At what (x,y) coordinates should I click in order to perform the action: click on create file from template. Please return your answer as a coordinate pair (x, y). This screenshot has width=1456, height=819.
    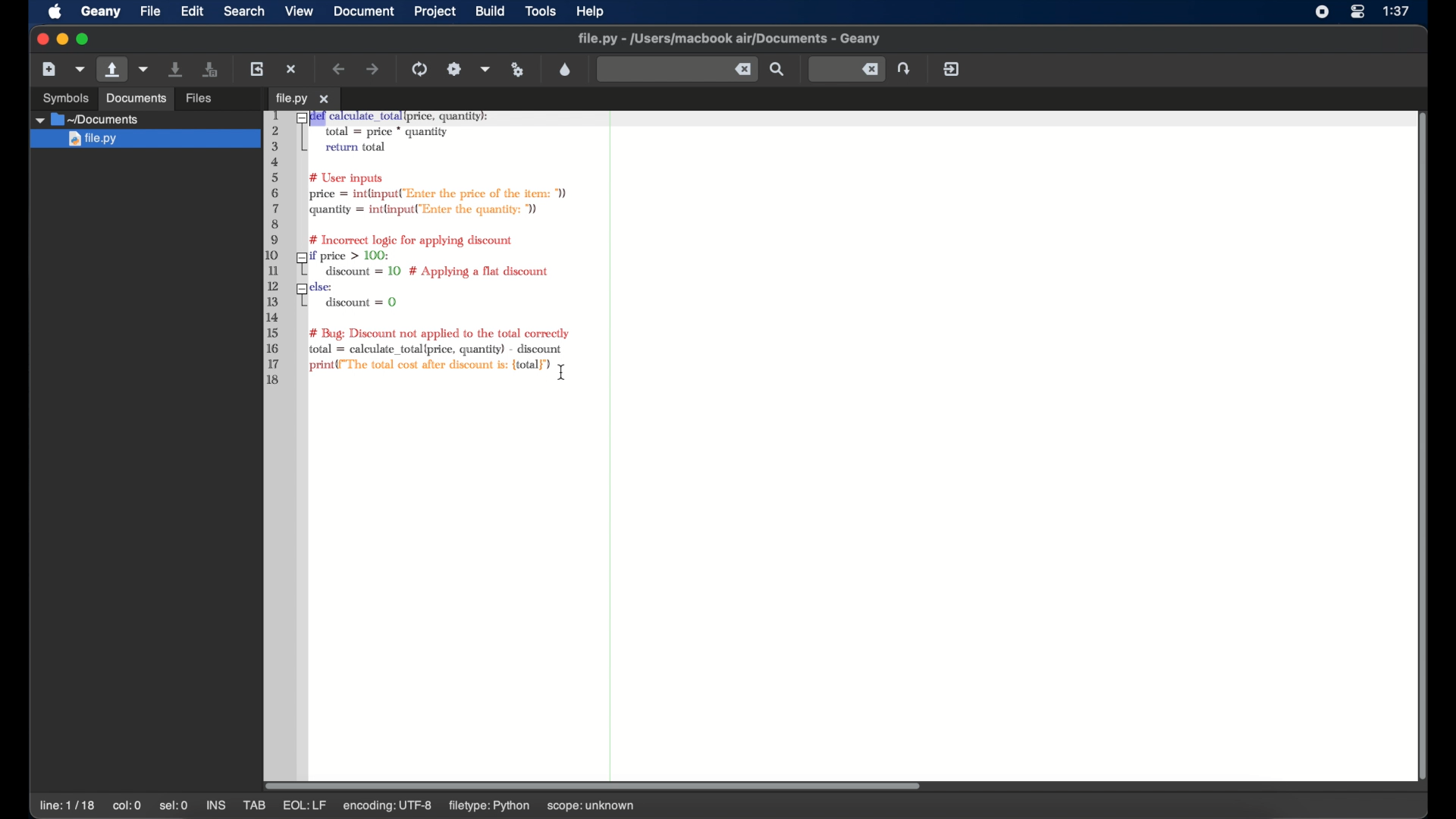
    Looking at the image, I should click on (80, 69).